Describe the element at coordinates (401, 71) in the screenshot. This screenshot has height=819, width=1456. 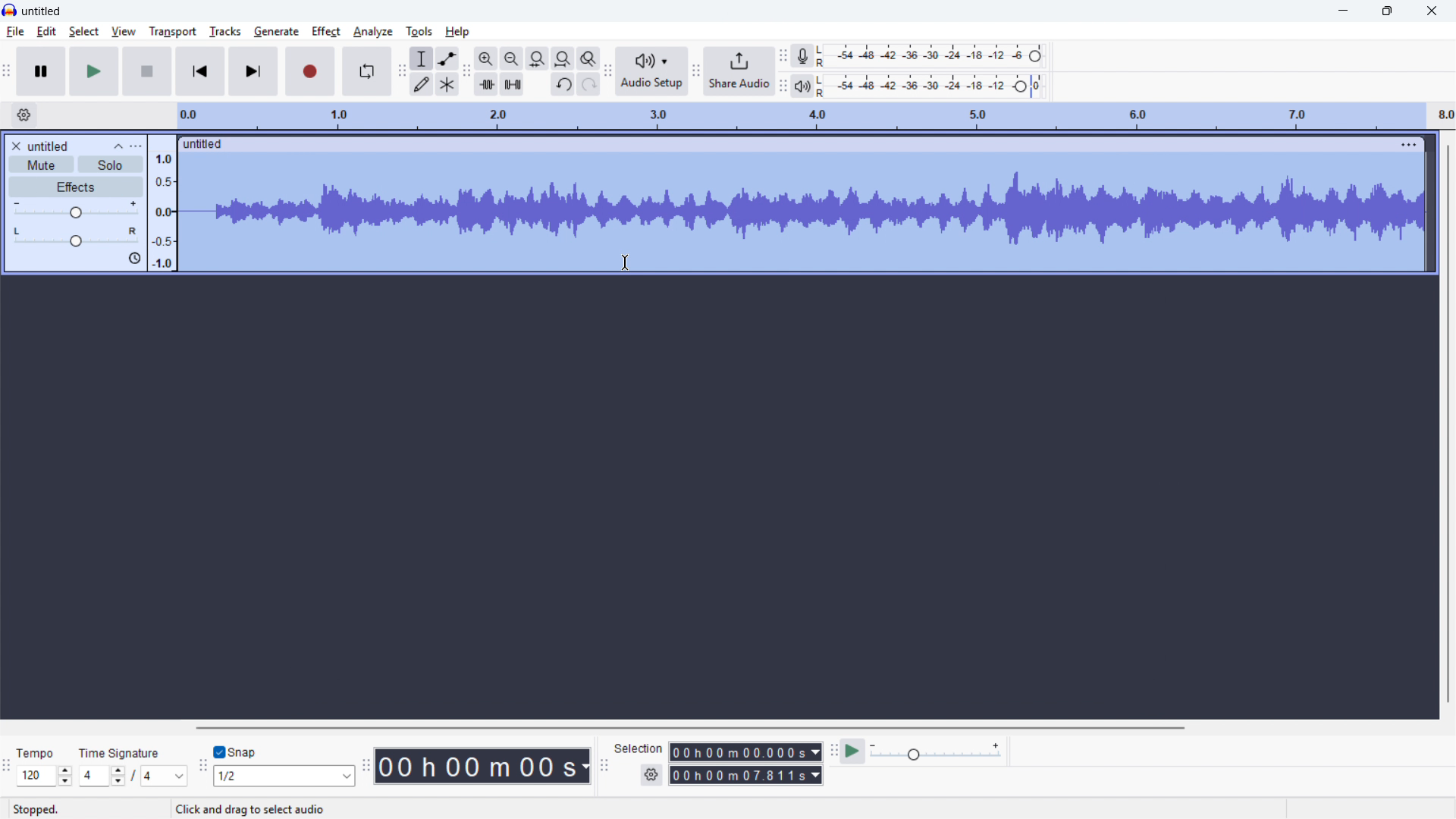
I see `Tools toolbar ` at that location.